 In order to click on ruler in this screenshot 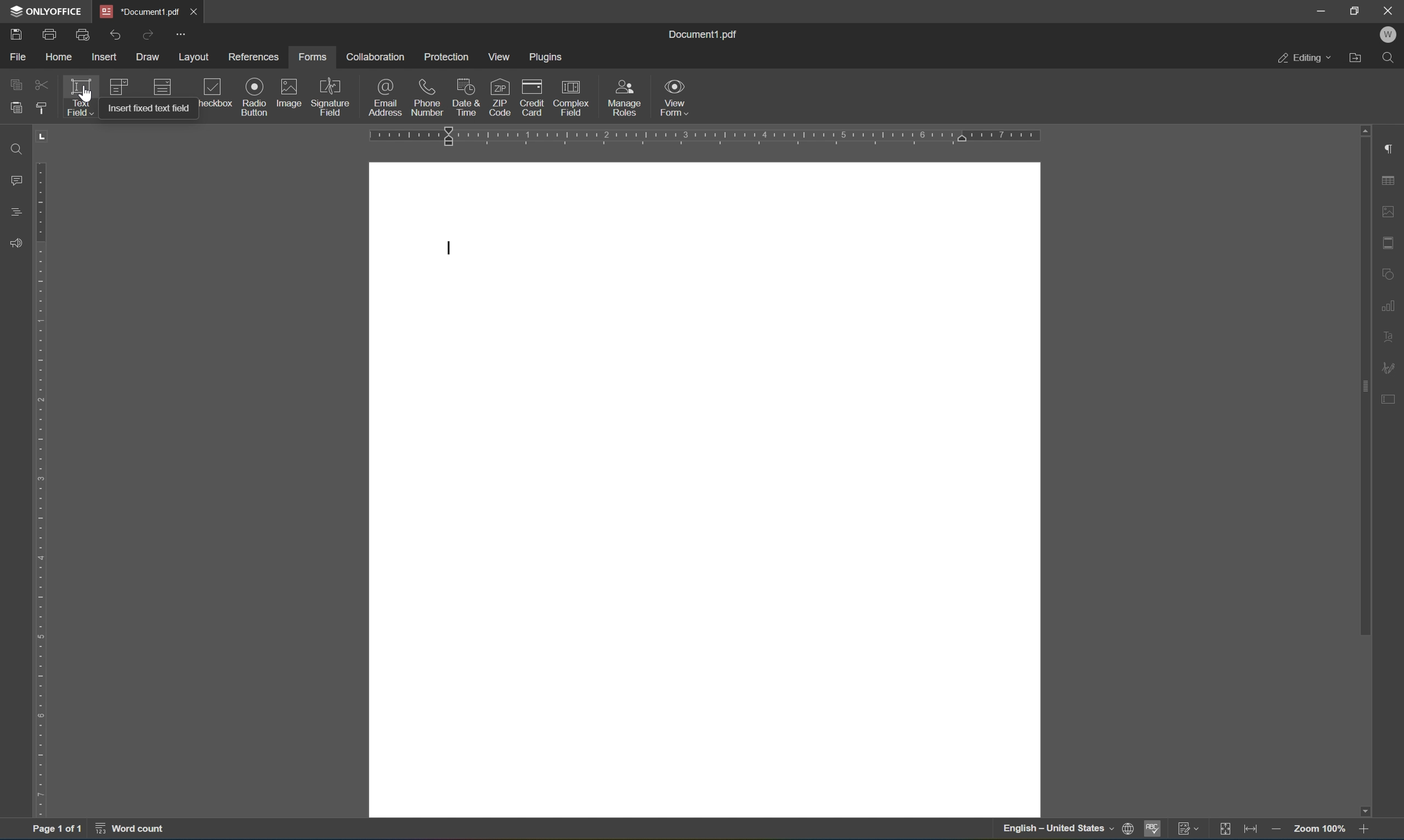, I will do `click(699, 136)`.